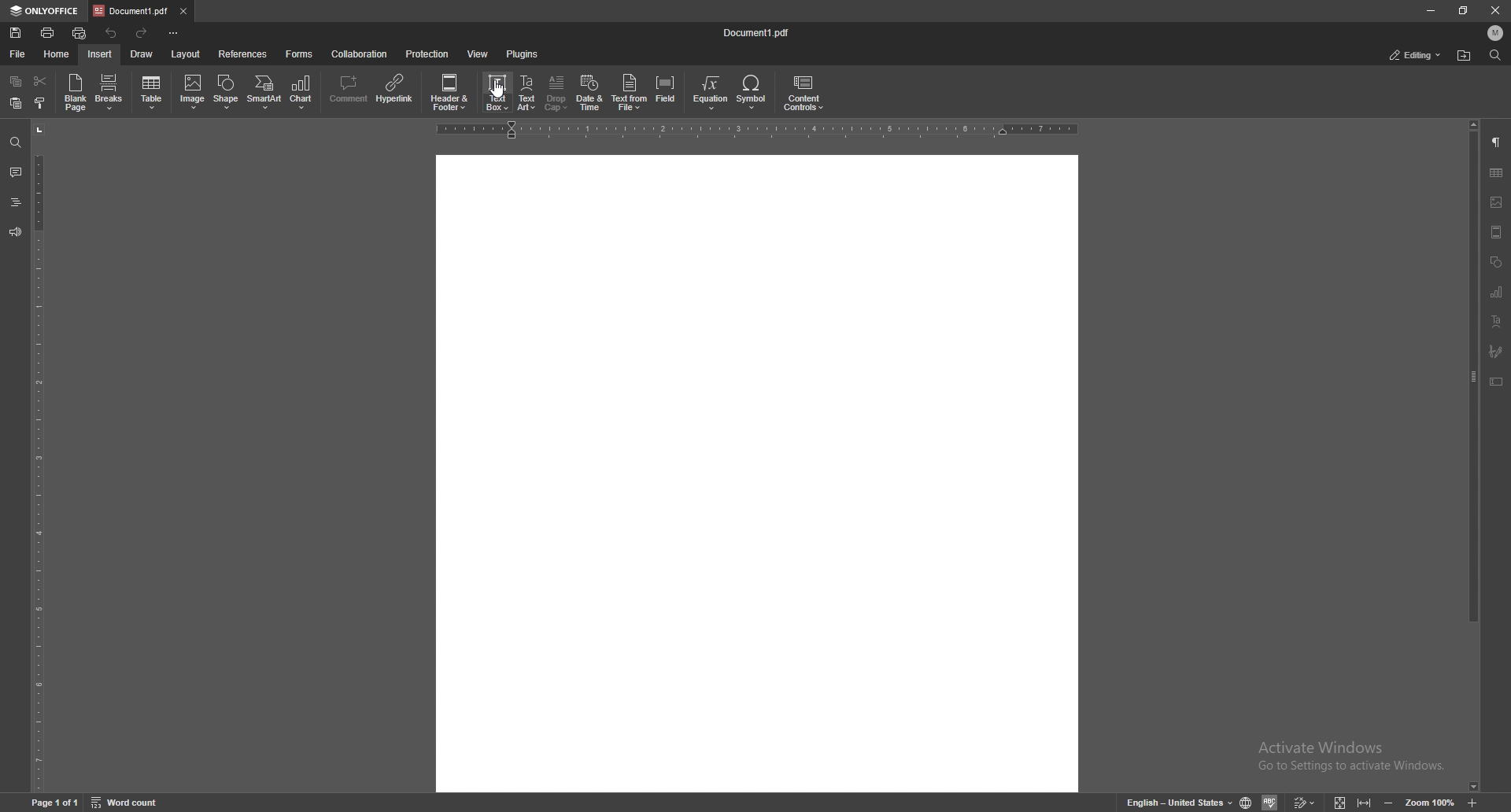 This screenshot has height=812, width=1511. What do you see at coordinates (1303, 803) in the screenshot?
I see `track changes` at bounding box center [1303, 803].